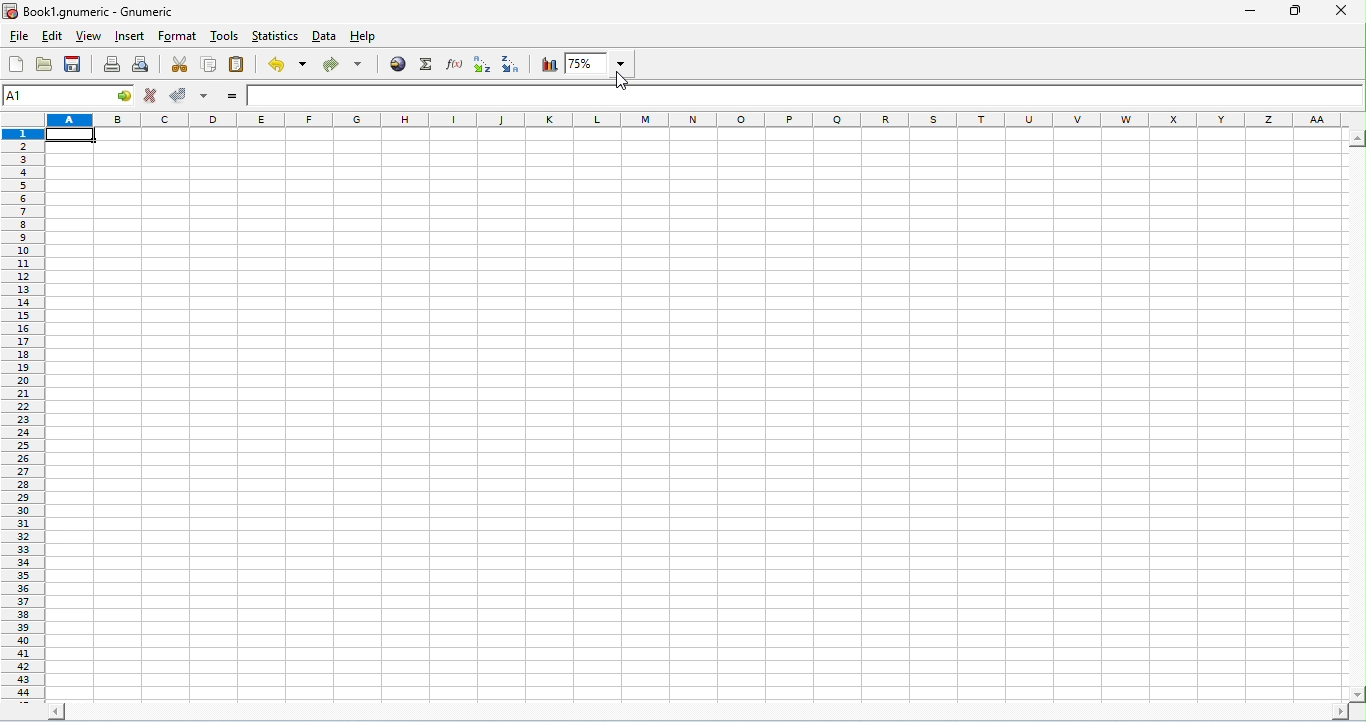  What do you see at coordinates (210, 65) in the screenshot?
I see `copy` at bounding box center [210, 65].